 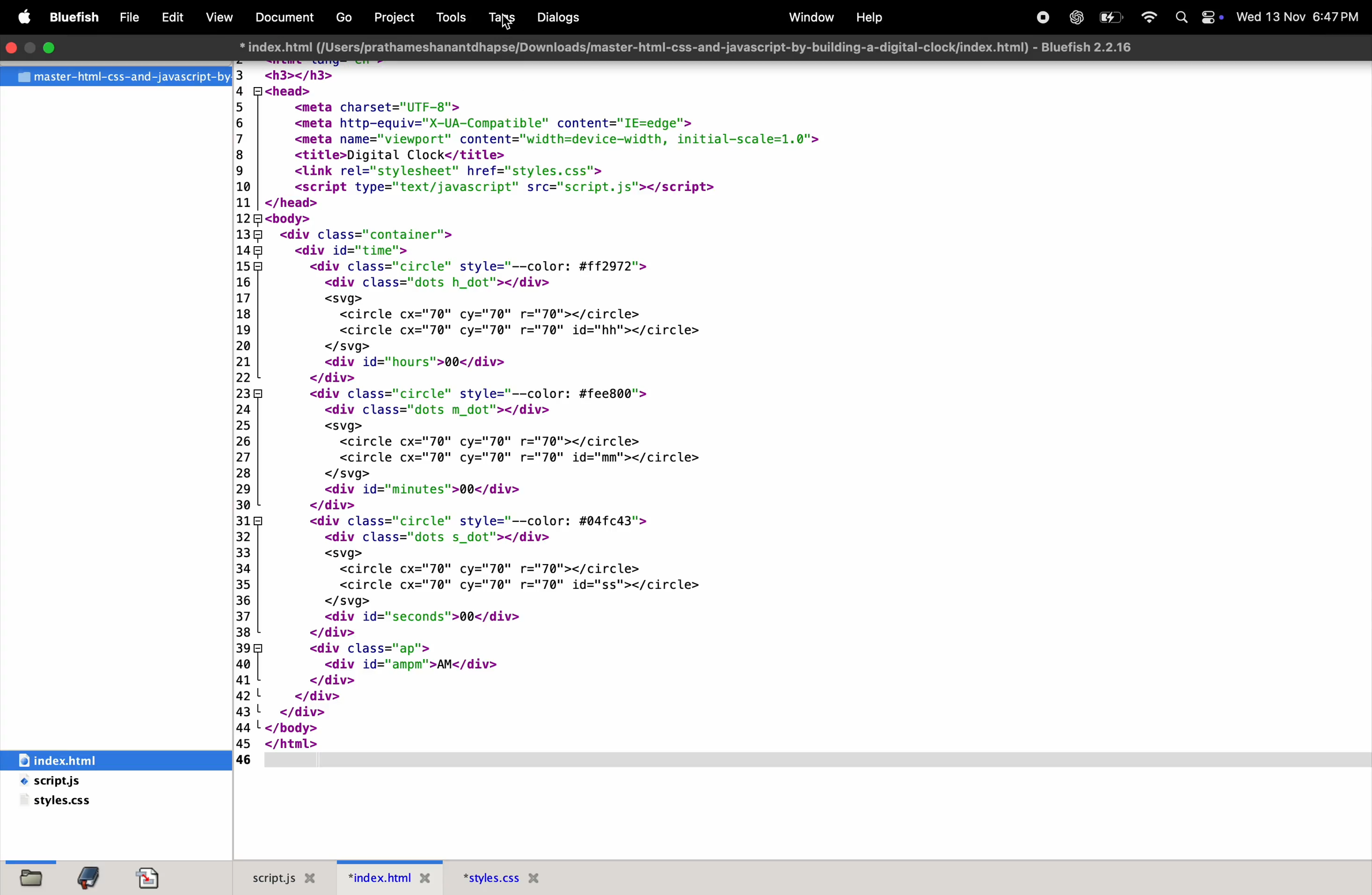 What do you see at coordinates (242, 415) in the screenshot?
I see `Line numbers` at bounding box center [242, 415].